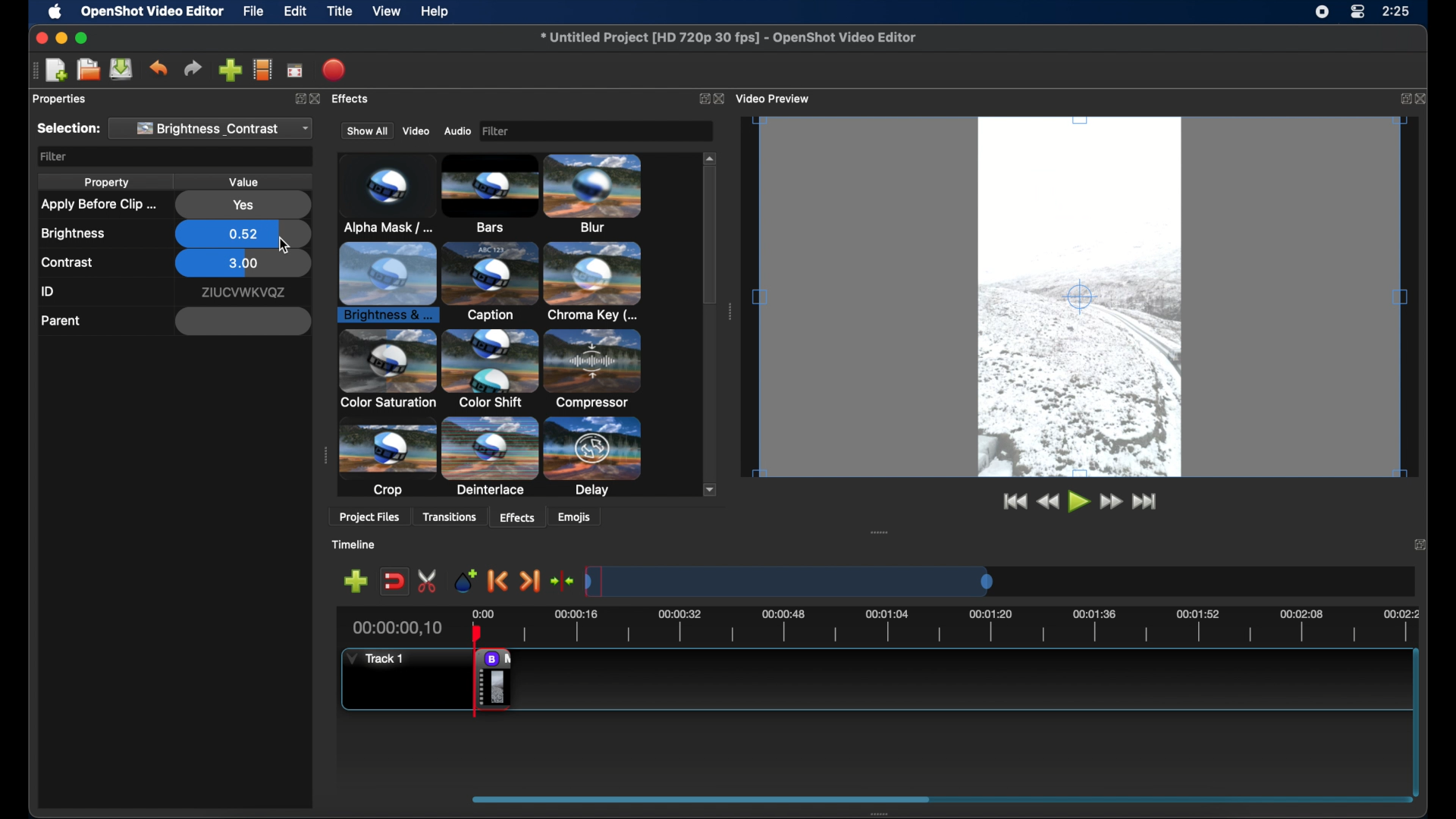 The width and height of the screenshot is (1456, 819). I want to click on explore profiles, so click(264, 71).